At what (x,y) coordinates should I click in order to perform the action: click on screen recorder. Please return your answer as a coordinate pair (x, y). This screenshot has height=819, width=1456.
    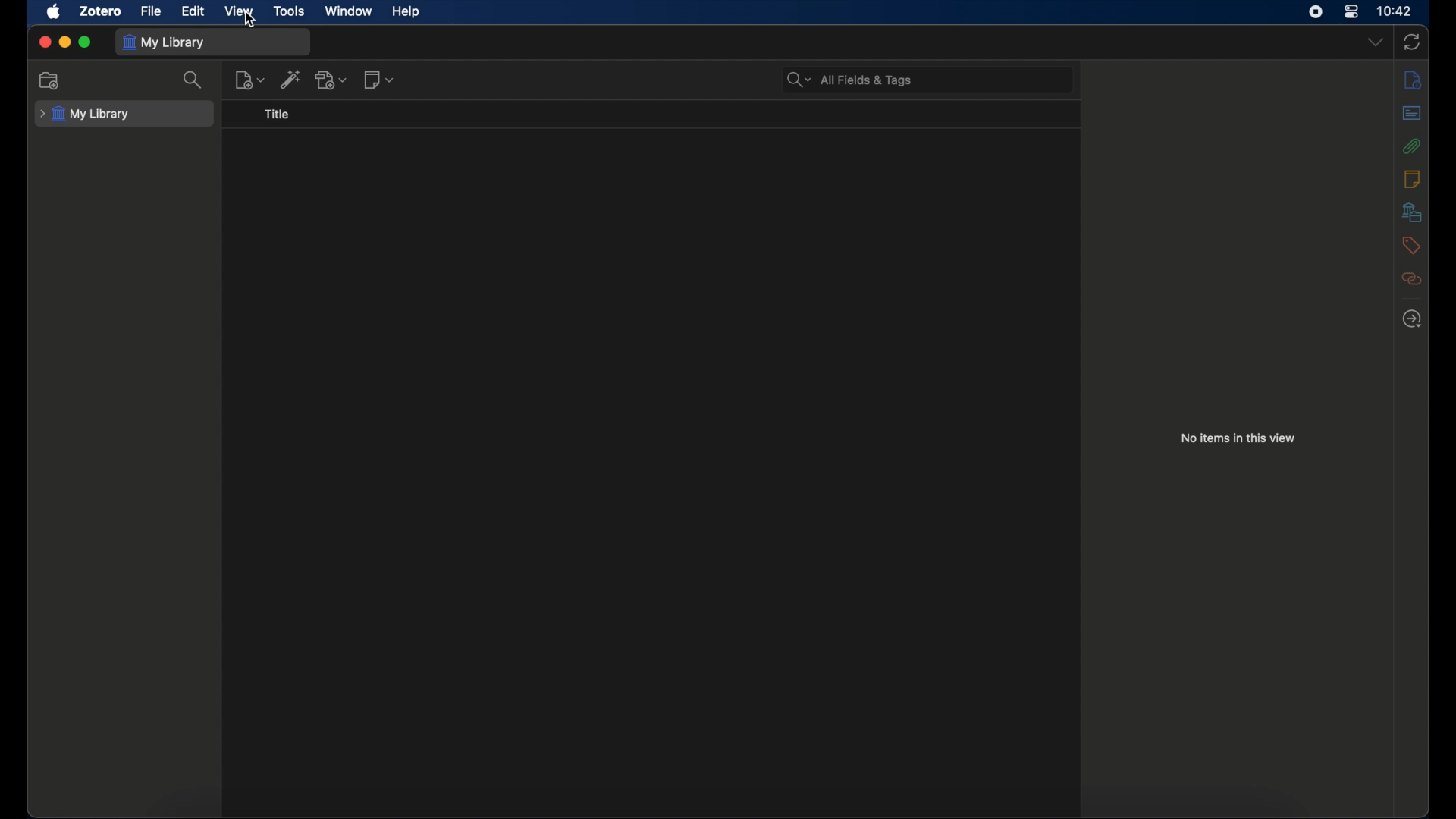
    Looking at the image, I should click on (1316, 11).